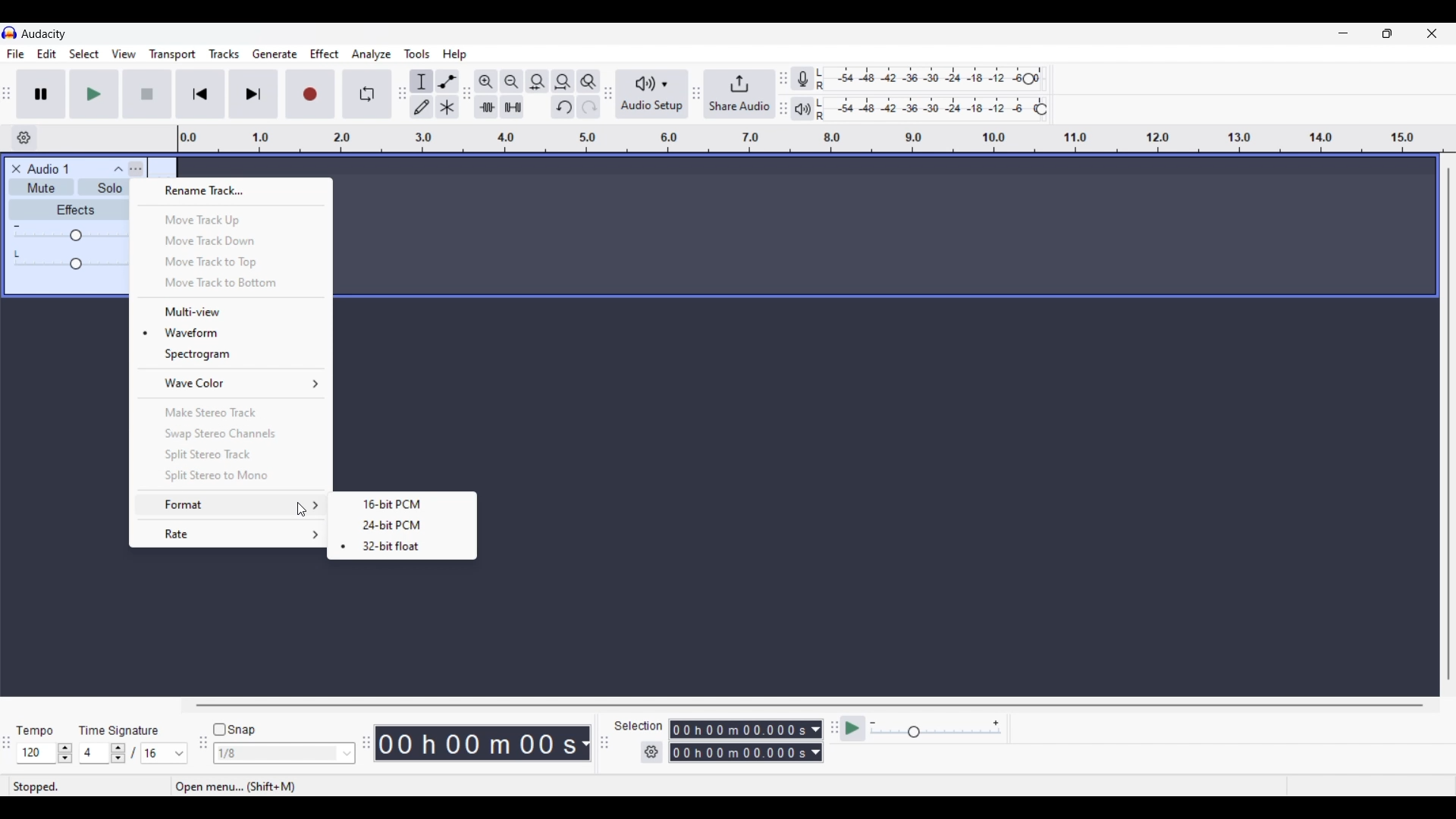 This screenshot has height=819, width=1456. Describe the element at coordinates (348, 754) in the screenshot. I see `Snap options to choose from` at that location.